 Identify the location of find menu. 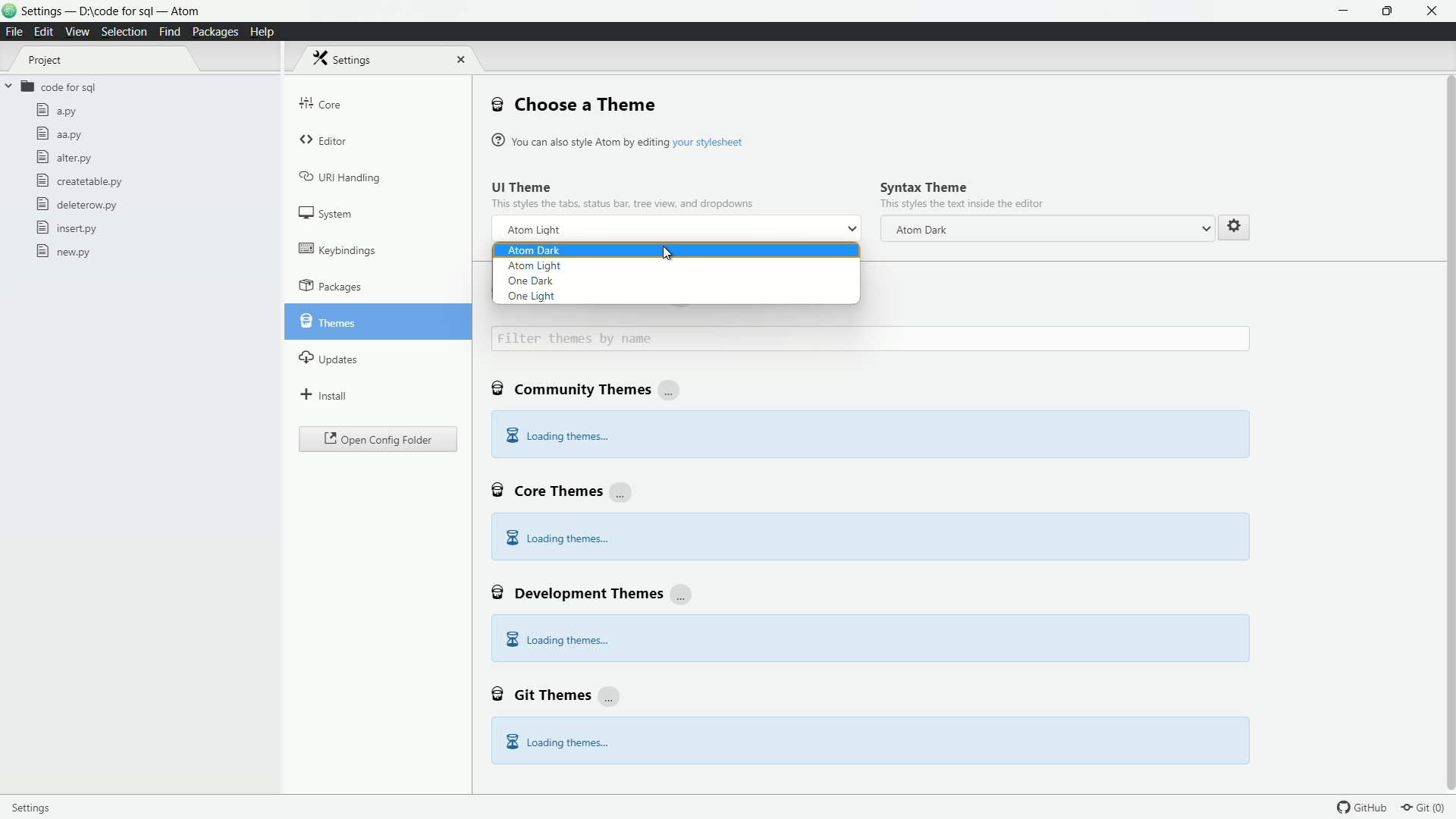
(168, 31).